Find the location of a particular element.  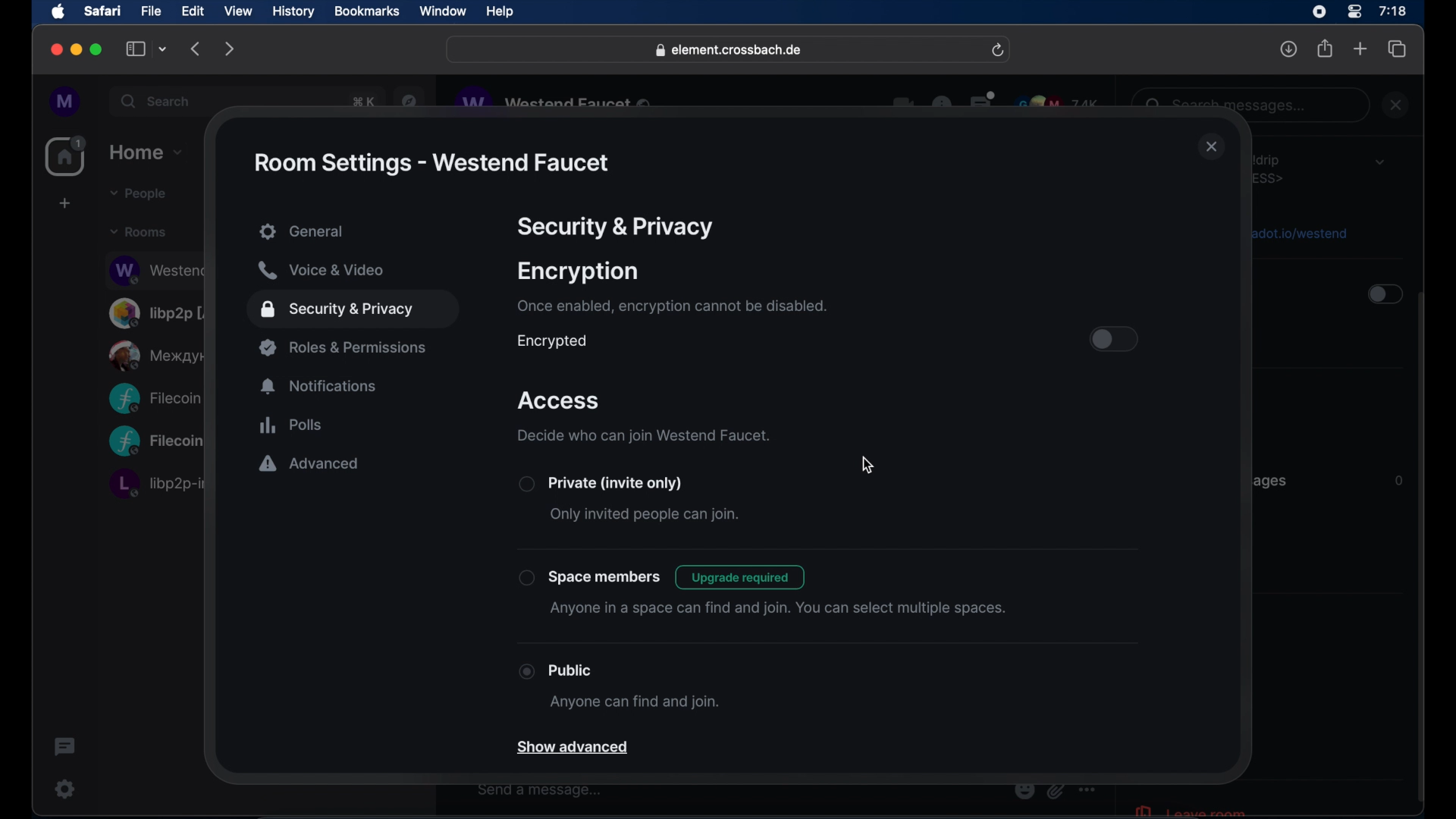

share is located at coordinates (1326, 49).